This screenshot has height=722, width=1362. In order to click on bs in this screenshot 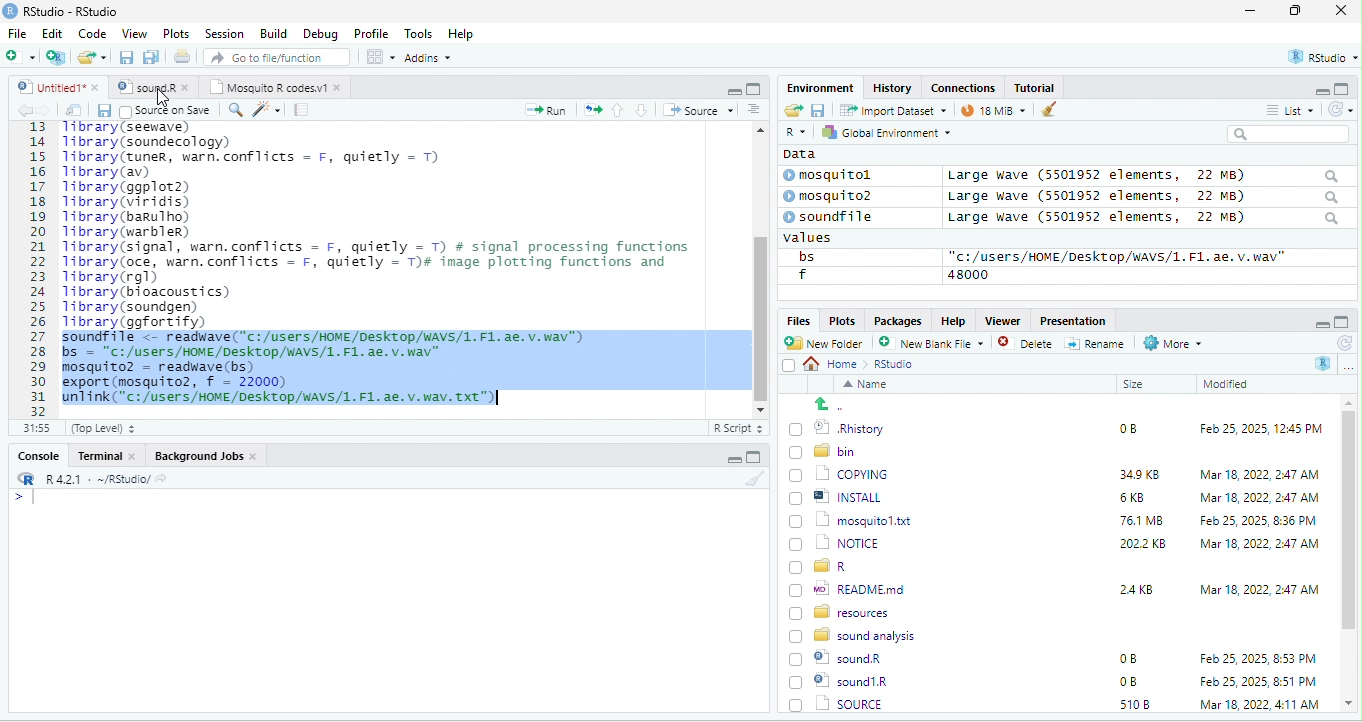, I will do `click(803, 256)`.